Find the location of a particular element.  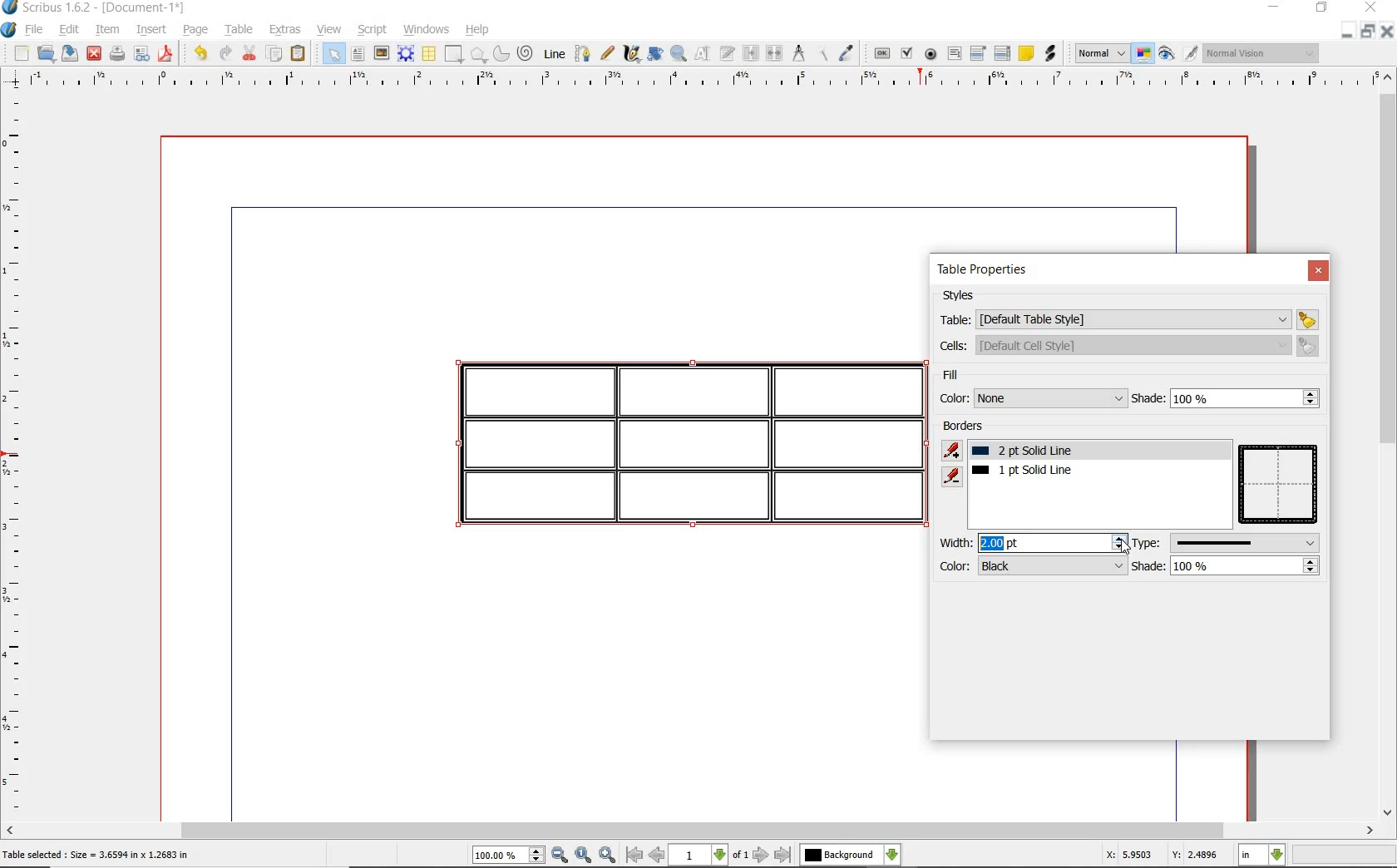

cells is located at coordinates (1126, 345).